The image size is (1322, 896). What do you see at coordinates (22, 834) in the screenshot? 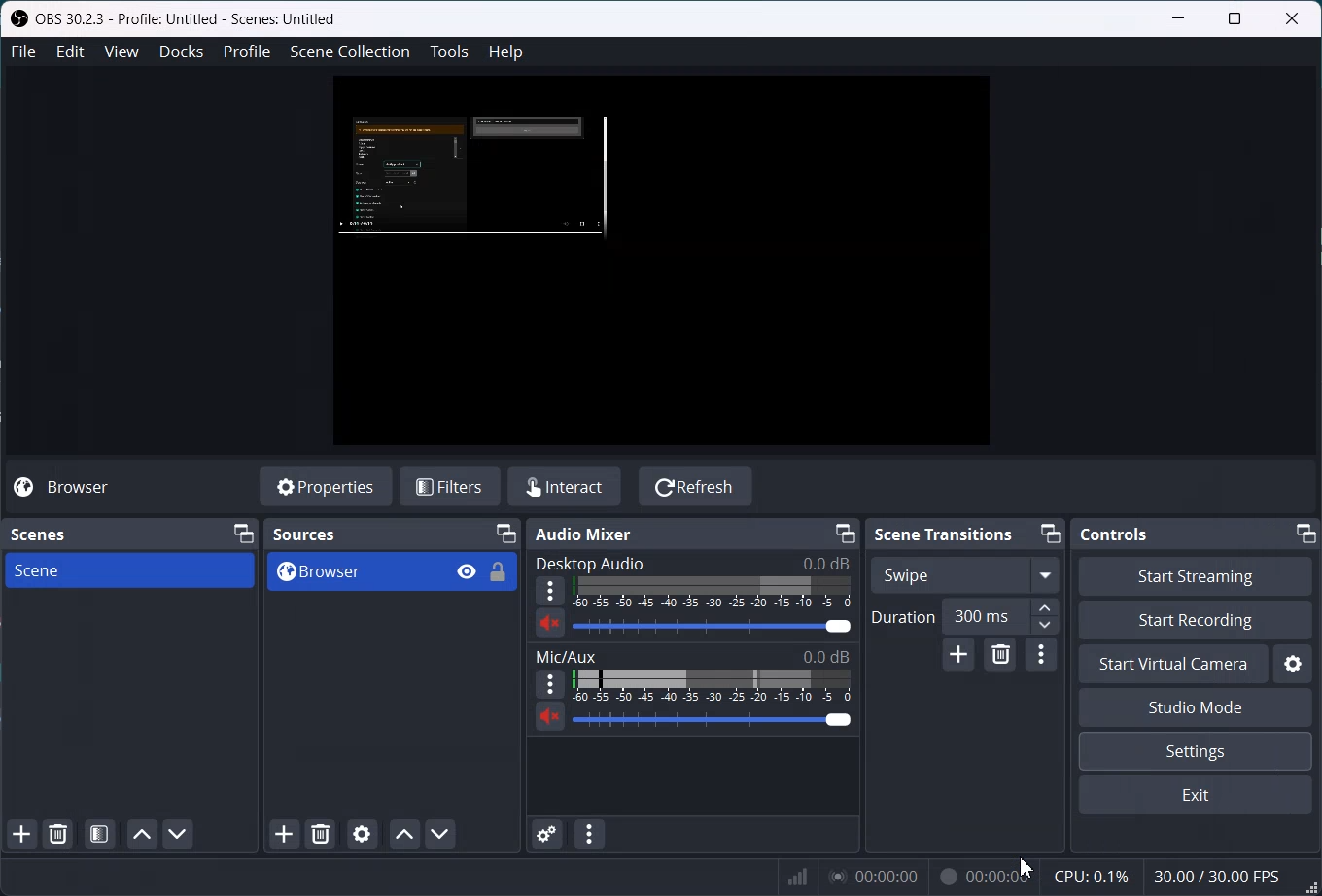
I see `Add Scene` at bounding box center [22, 834].